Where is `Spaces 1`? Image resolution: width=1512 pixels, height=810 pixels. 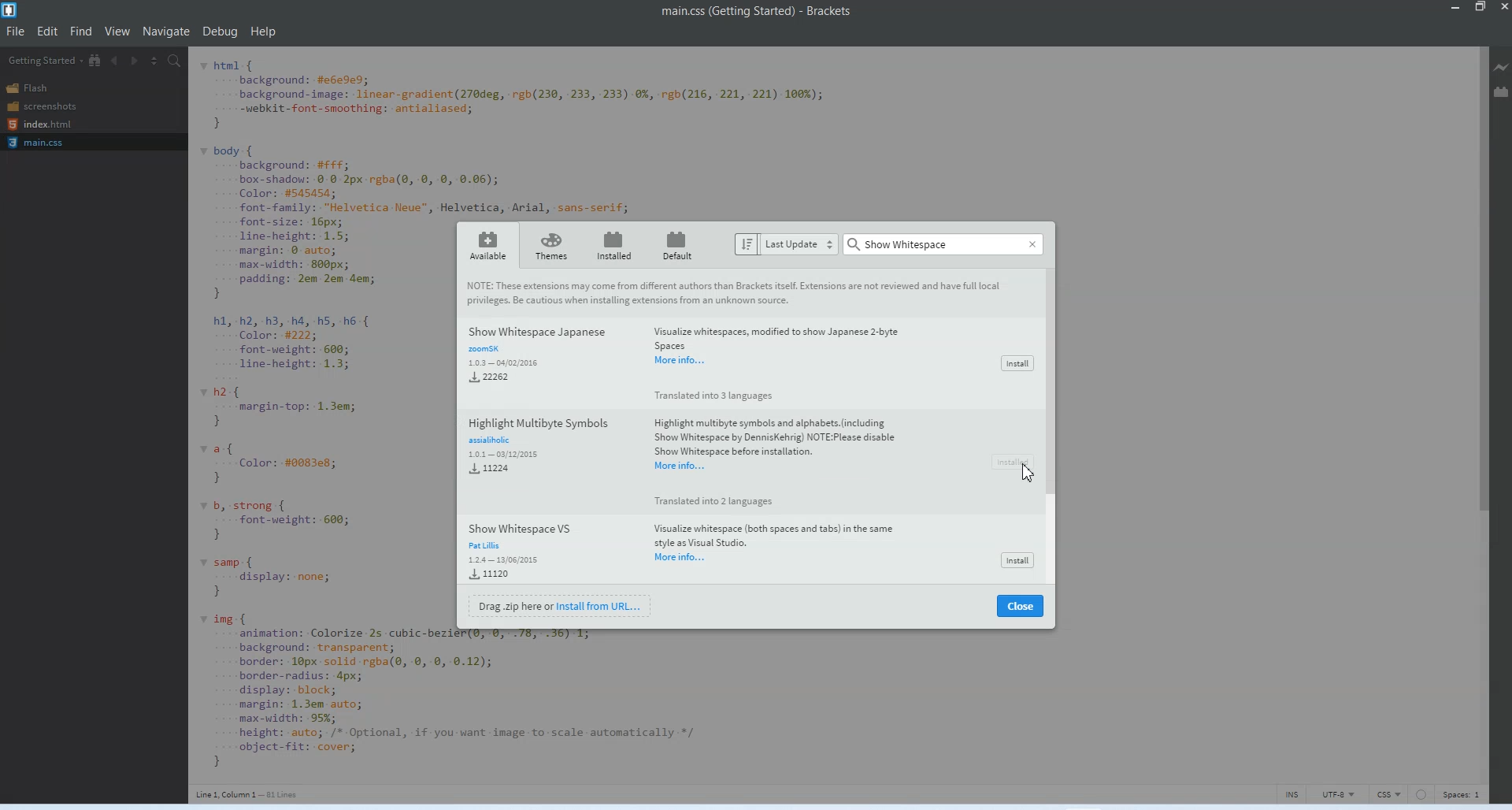 Spaces 1 is located at coordinates (1464, 794).